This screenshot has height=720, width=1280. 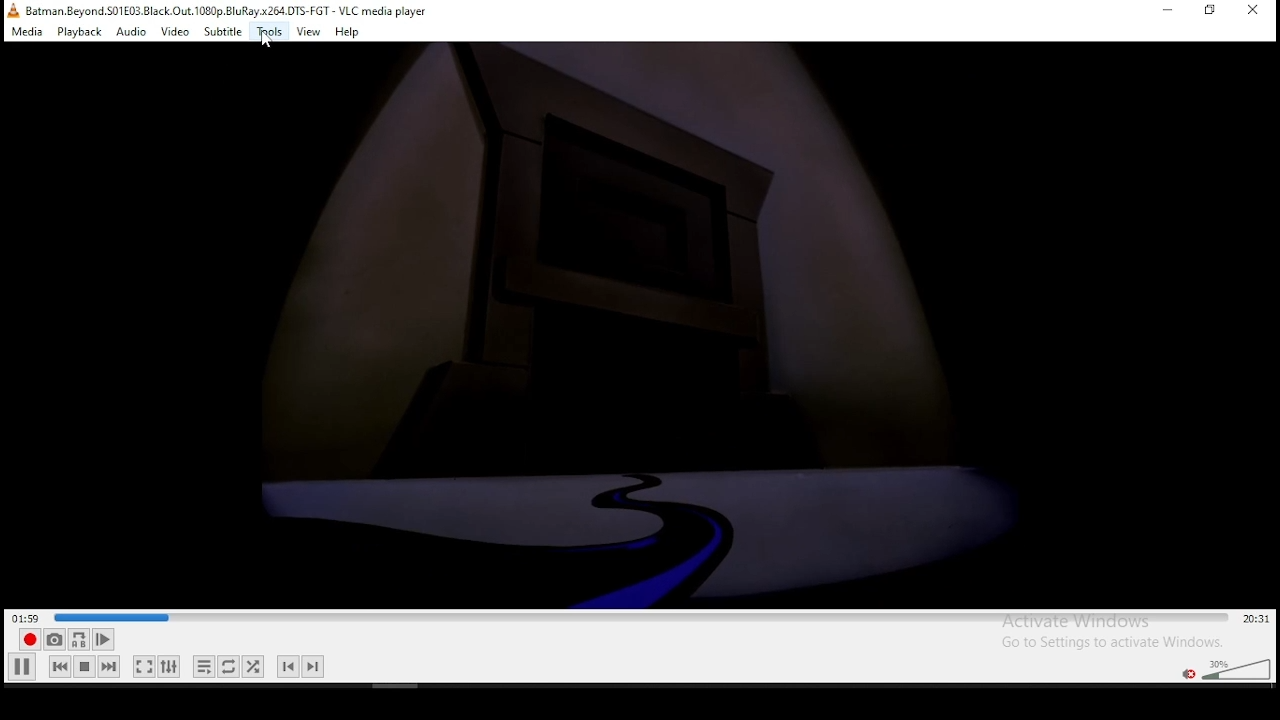 What do you see at coordinates (52, 640) in the screenshot?
I see `take a snapshot` at bounding box center [52, 640].